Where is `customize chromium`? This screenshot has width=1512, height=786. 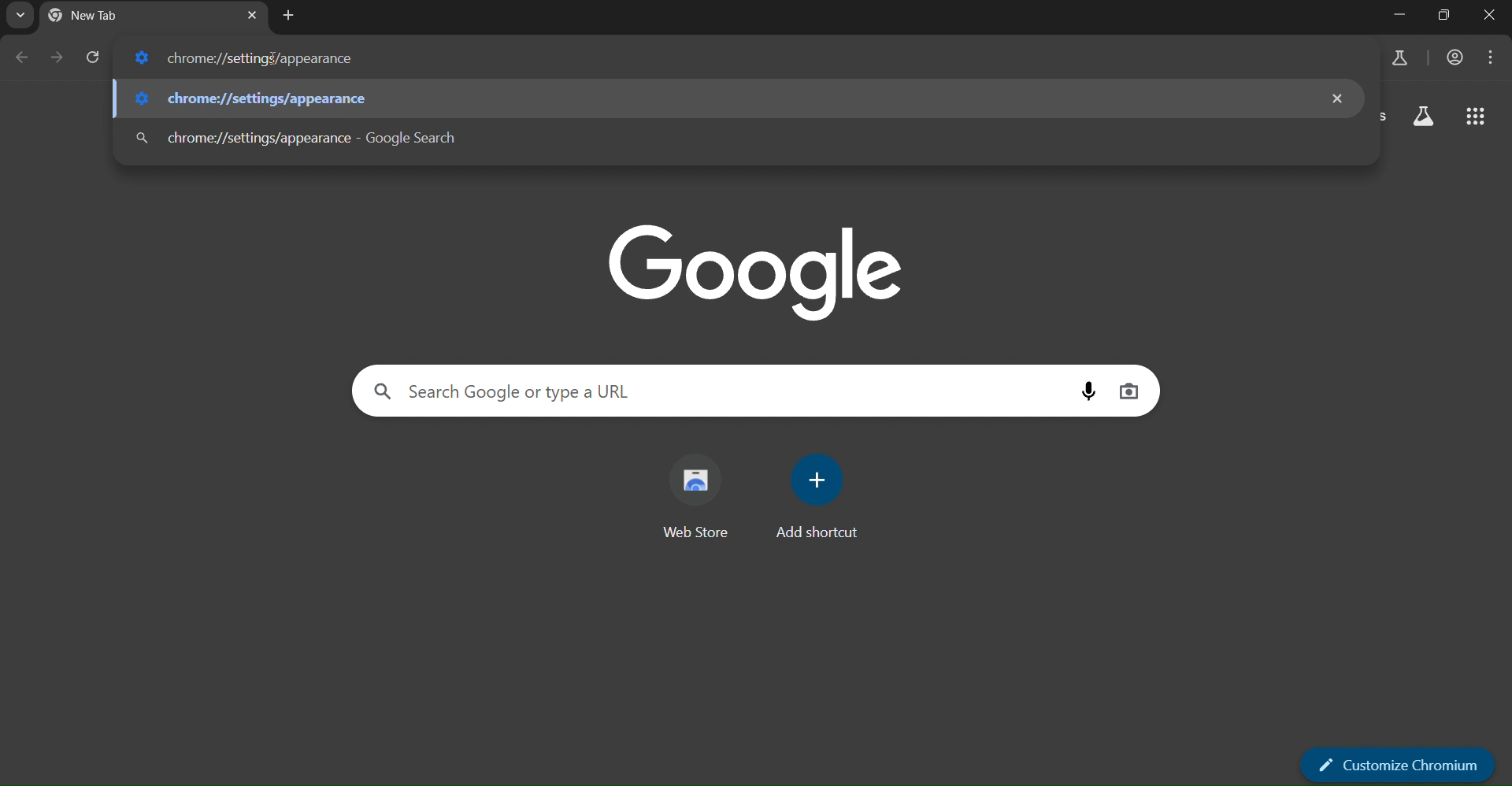
customize chromium is located at coordinates (1400, 763).